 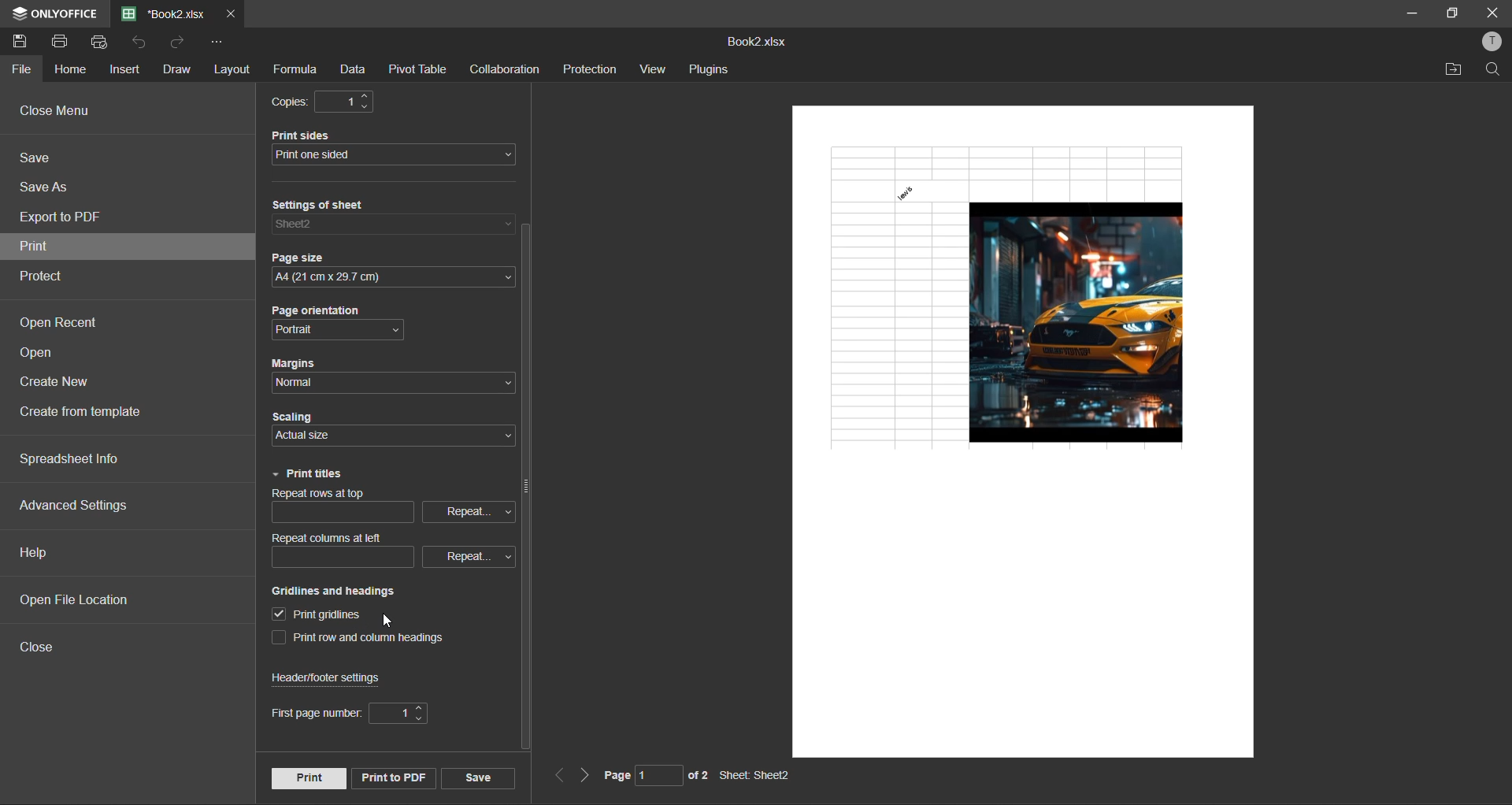 What do you see at coordinates (89, 414) in the screenshot?
I see `create from template ` at bounding box center [89, 414].